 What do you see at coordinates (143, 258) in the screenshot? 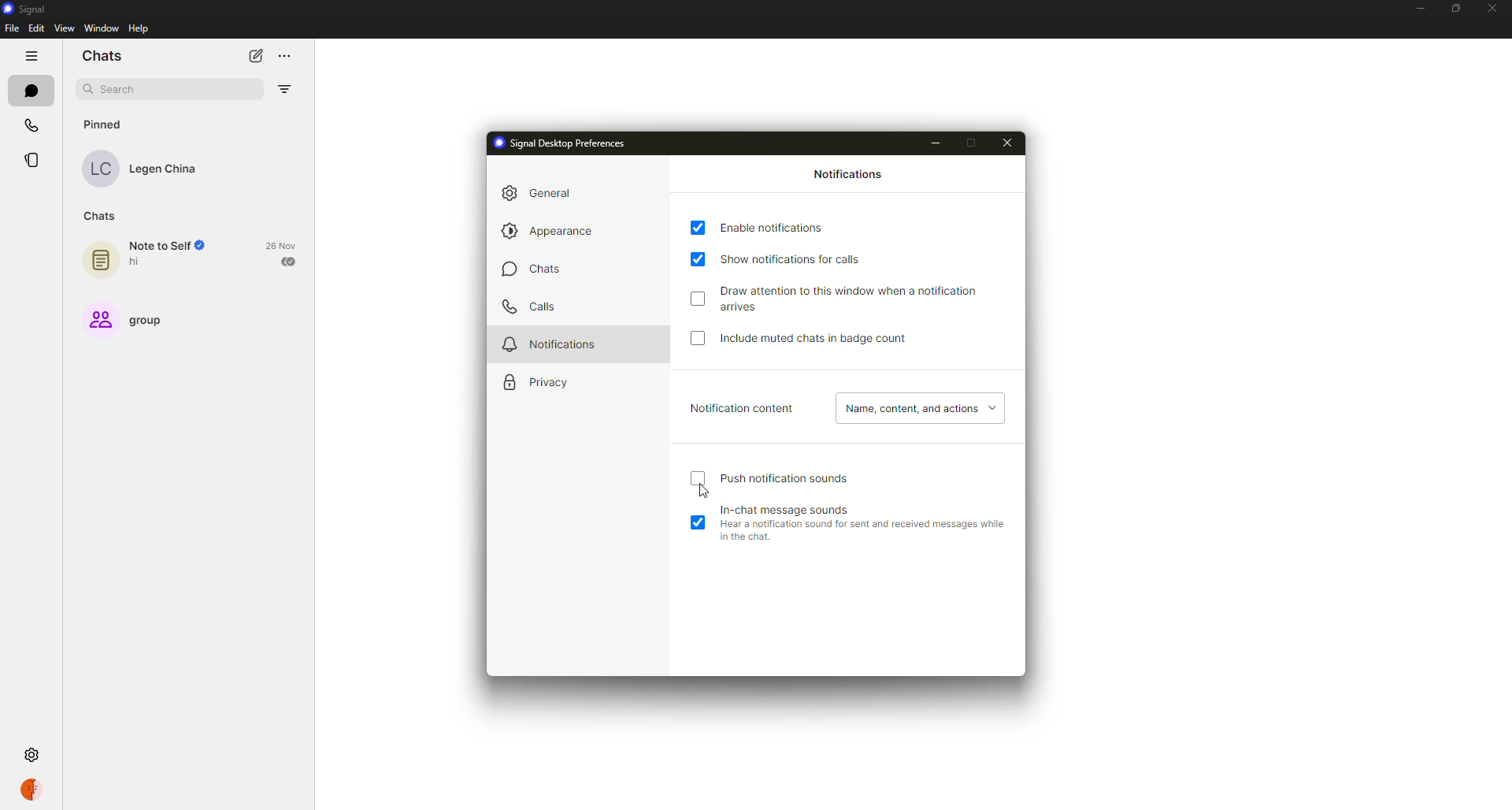
I see `note to self` at bounding box center [143, 258].